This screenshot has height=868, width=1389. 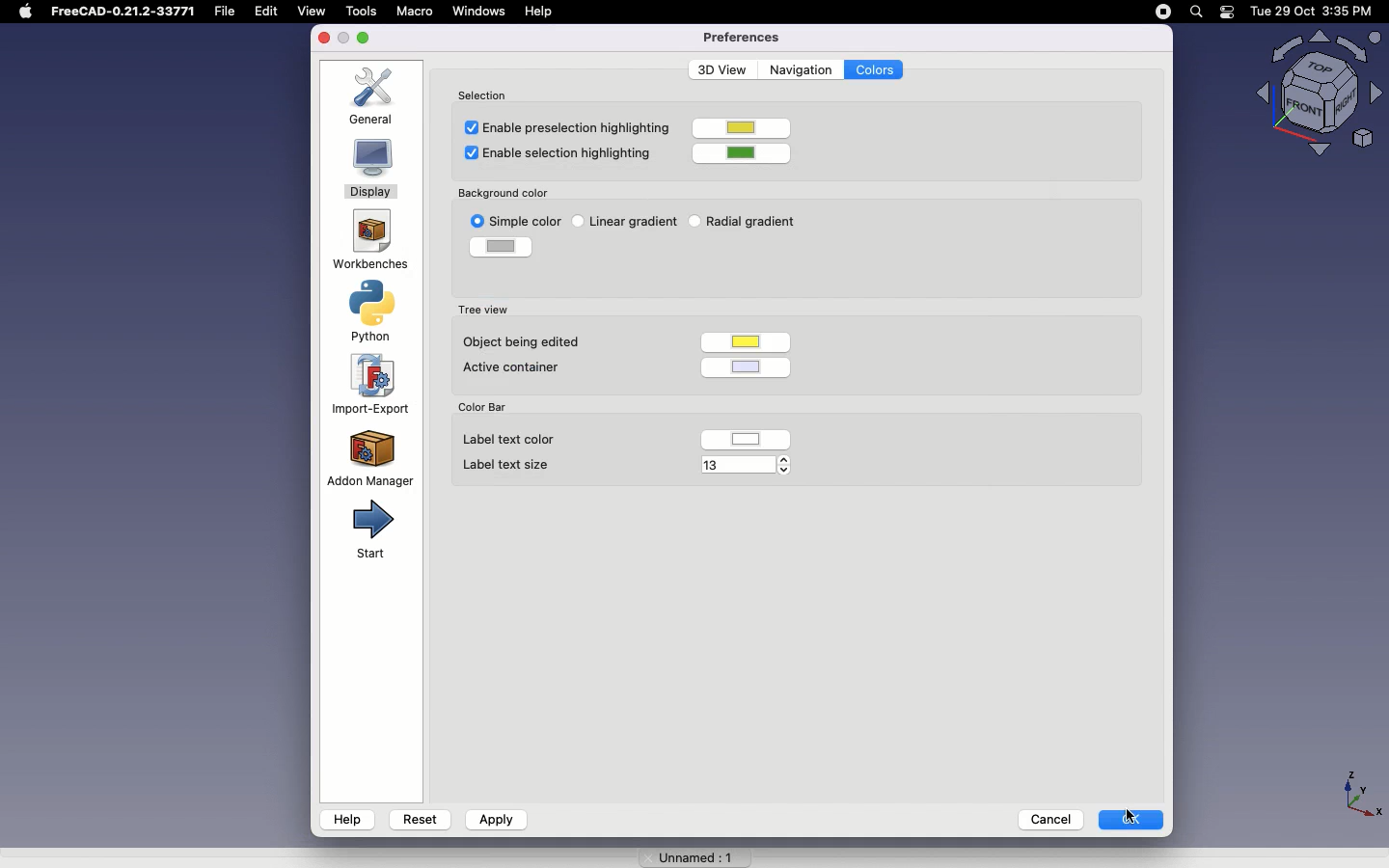 What do you see at coordinates (230, 12) in the screenshot?
I see `file` at bounding box center [230, 12].